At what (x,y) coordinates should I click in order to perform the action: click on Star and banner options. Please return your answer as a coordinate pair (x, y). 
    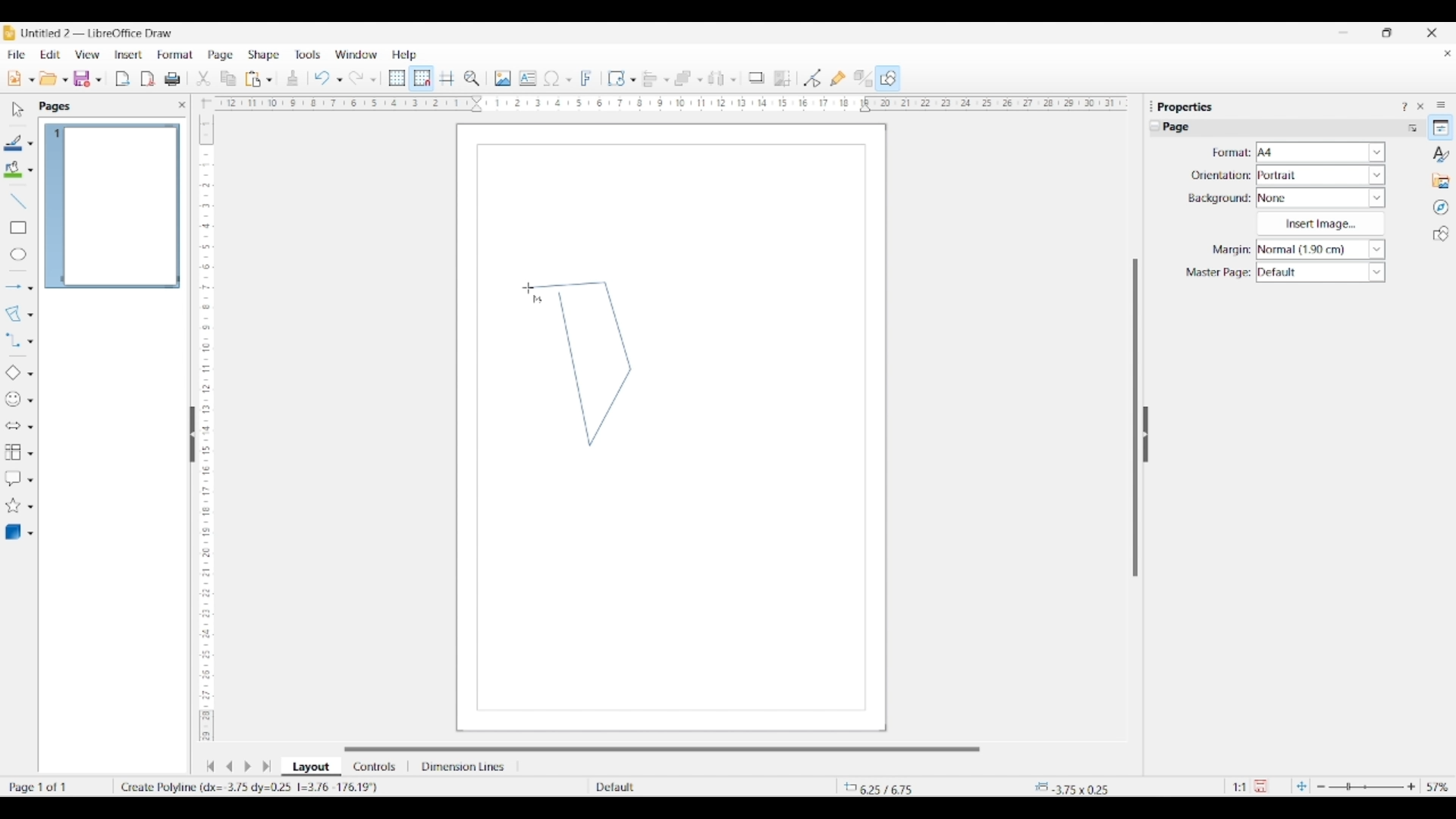
    Looking at the image, I should click on (30, 507).